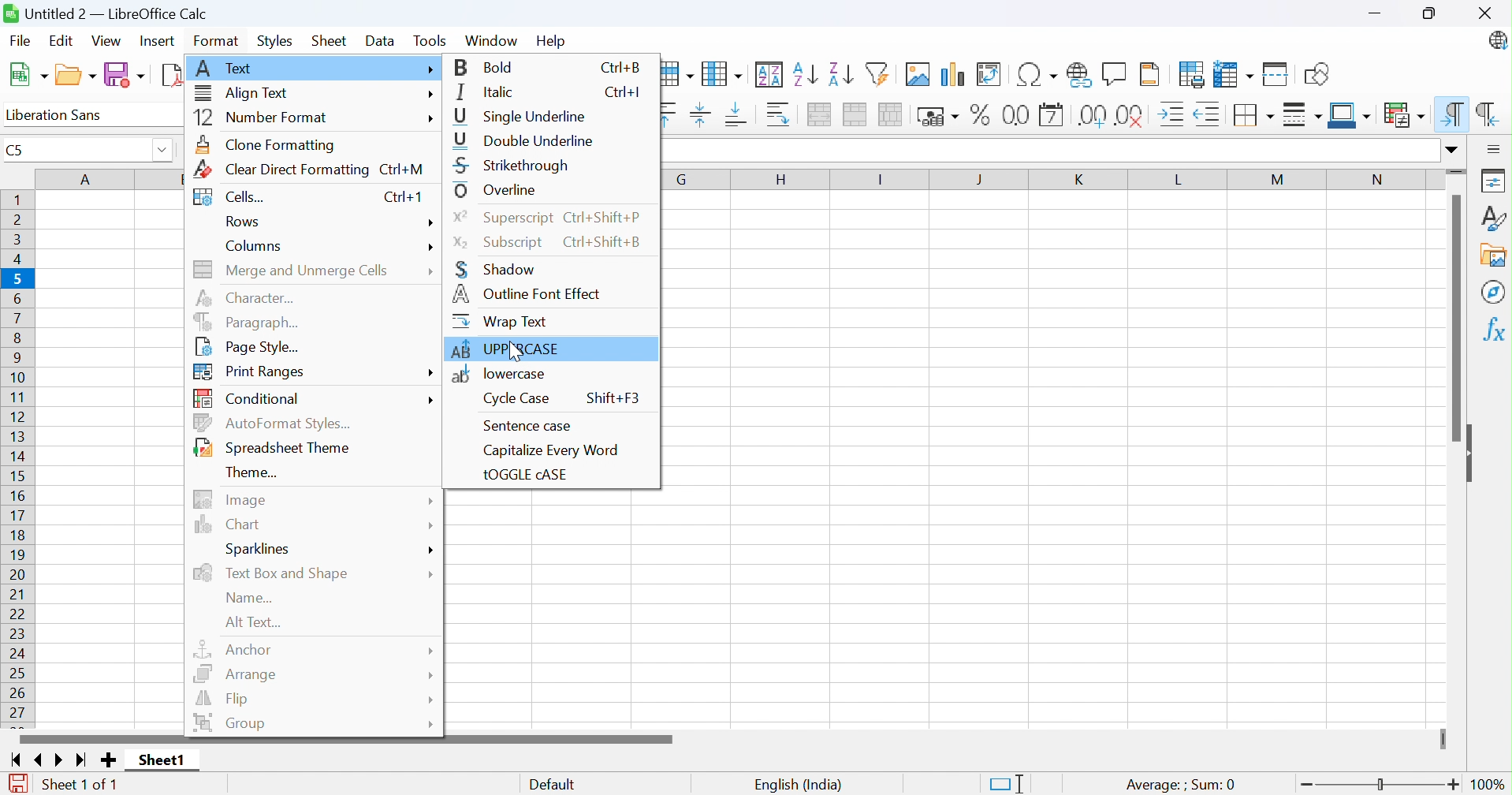 Image resolution: width=1512 pixels, height=795 pixels. I want to click on Ctrl+I, so click(622, 91).